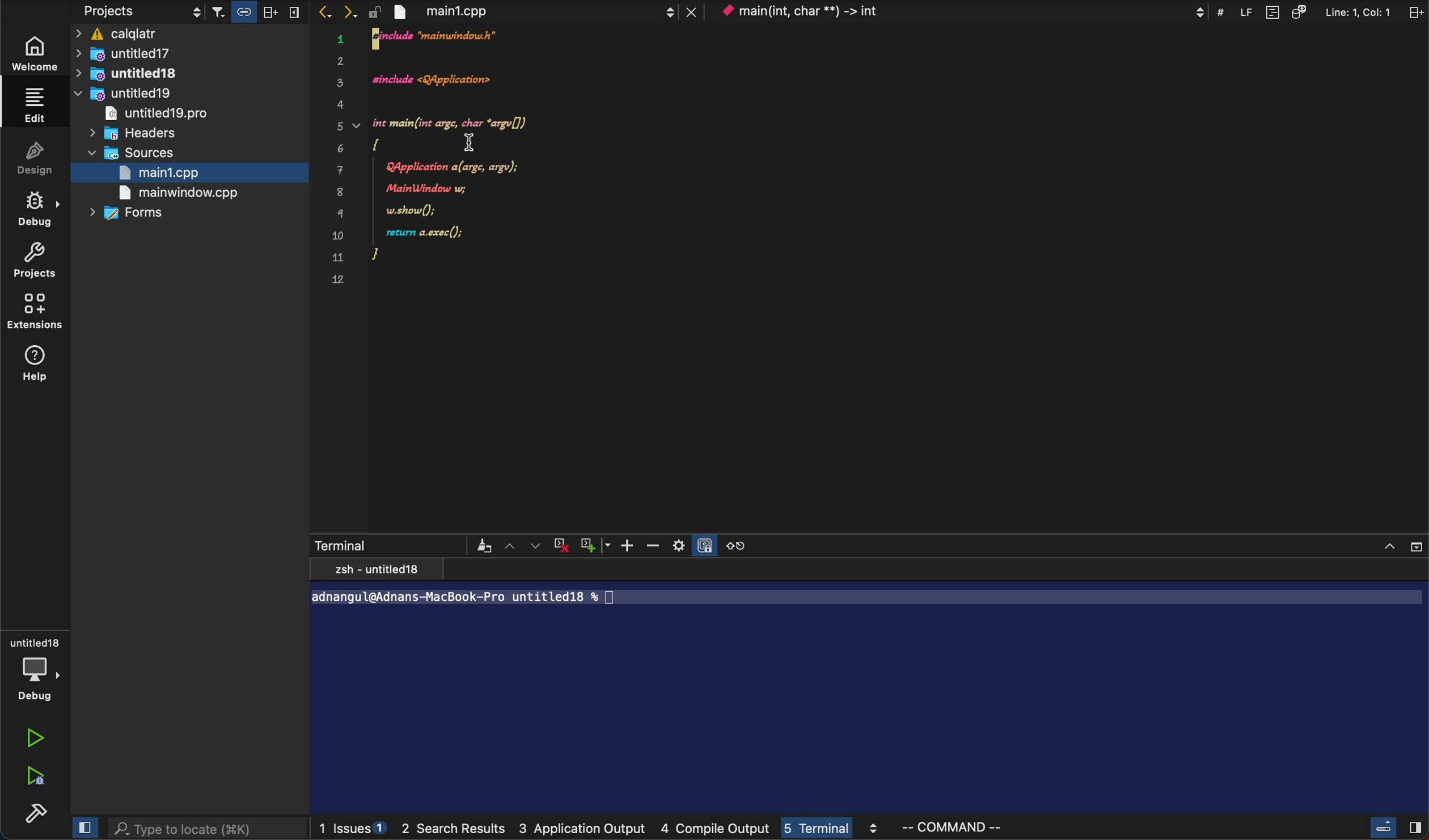  Describe the element at coordinates (33, 159) in the screenshot. I see `design` at that location.